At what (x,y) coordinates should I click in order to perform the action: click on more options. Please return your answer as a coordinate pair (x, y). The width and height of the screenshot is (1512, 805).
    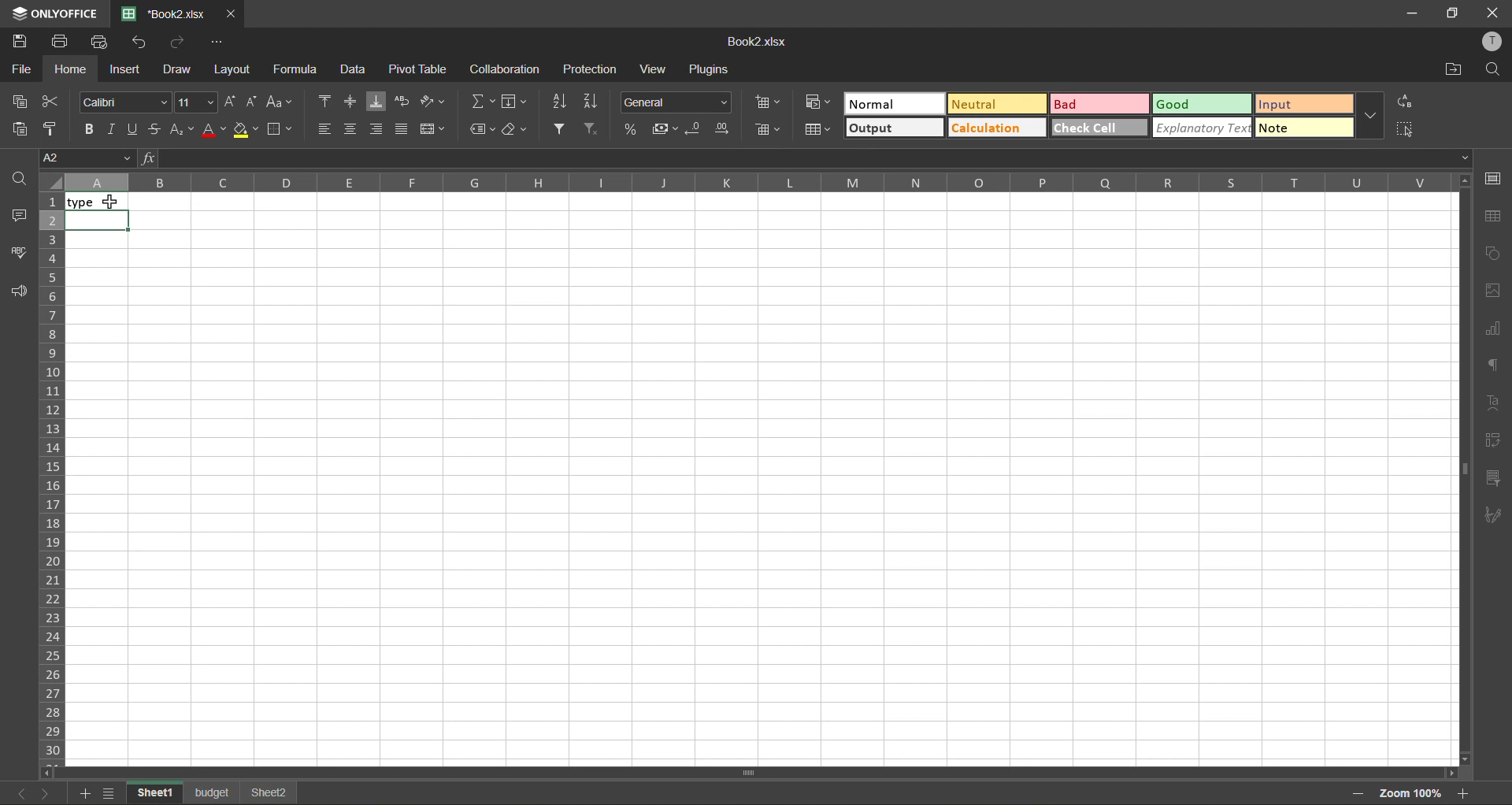
    Looking at the image, I should click on (1373, 116).